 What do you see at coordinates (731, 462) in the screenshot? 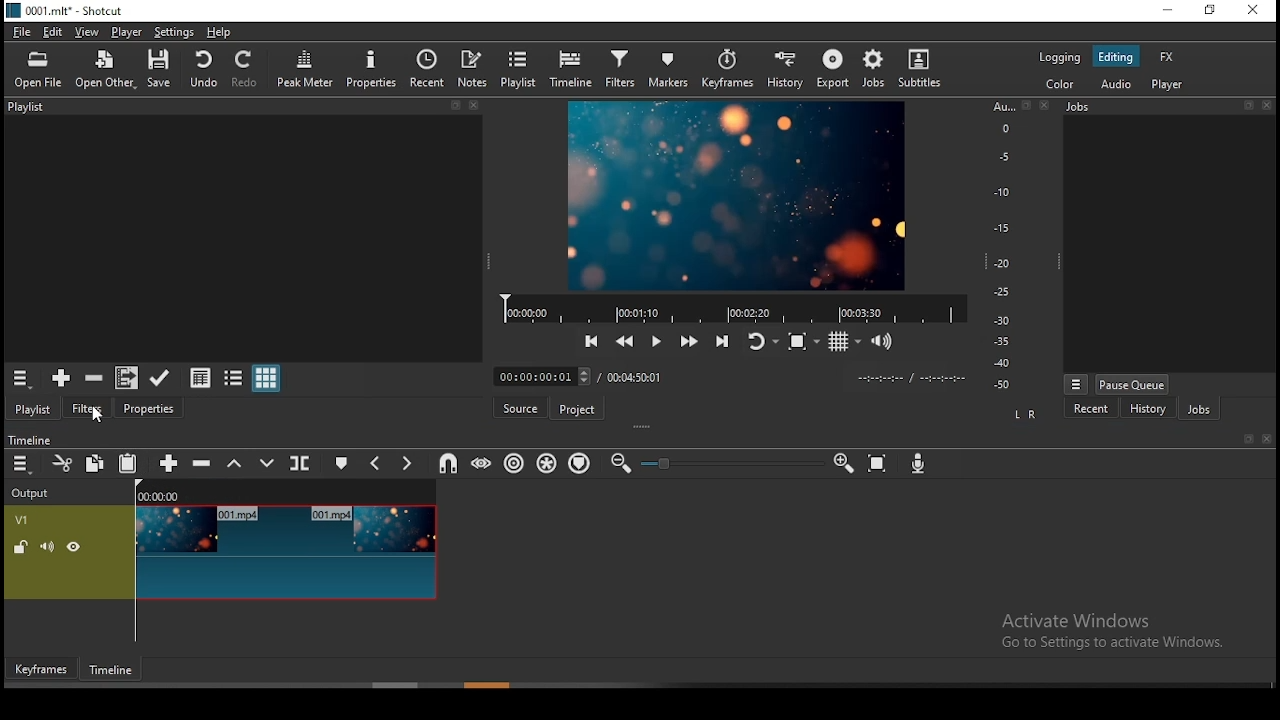
I see `zoom in or zoom out slider` at bounding box center [731, 462].